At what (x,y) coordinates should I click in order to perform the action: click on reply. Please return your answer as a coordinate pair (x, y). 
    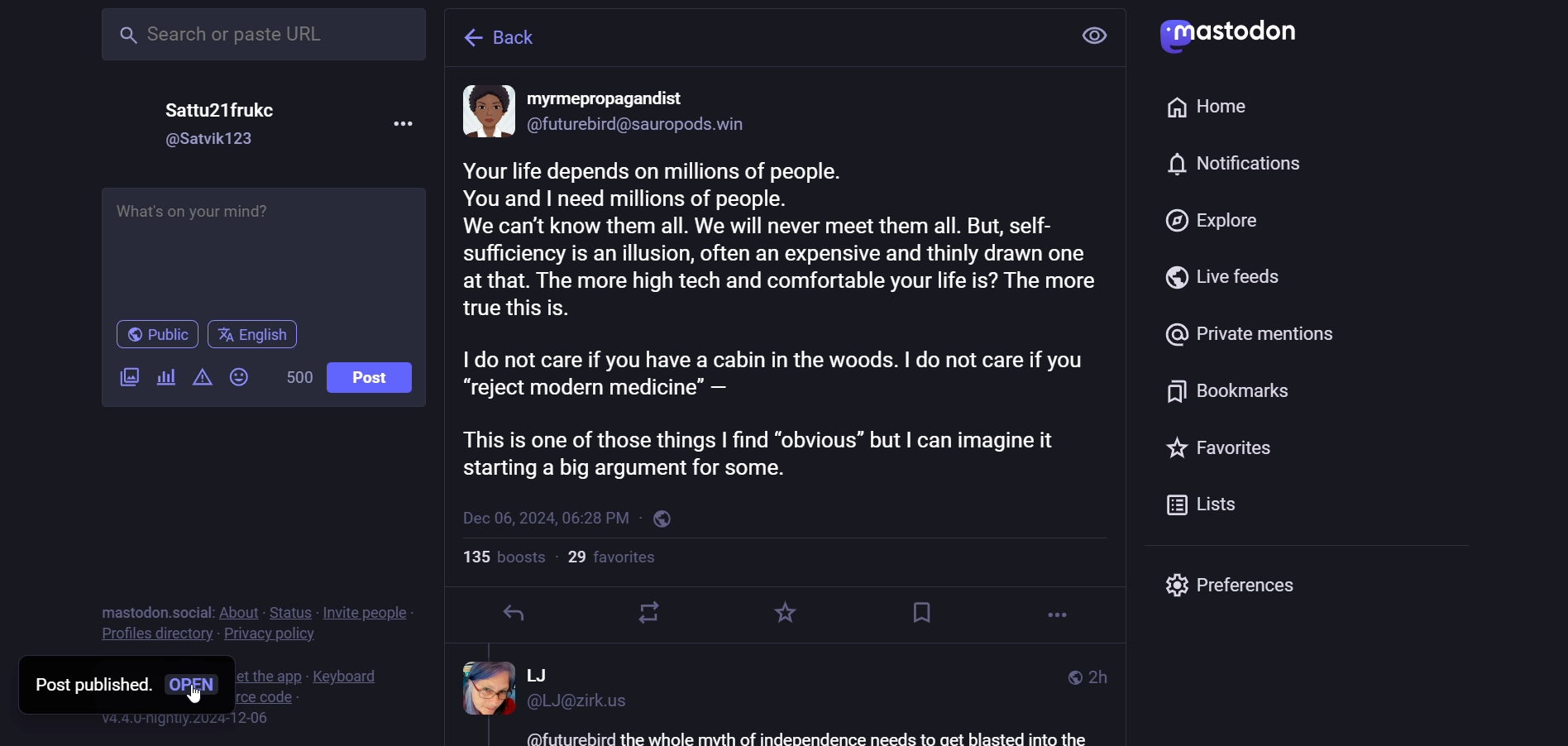
    Looking at the image, I should click on (509, 614).